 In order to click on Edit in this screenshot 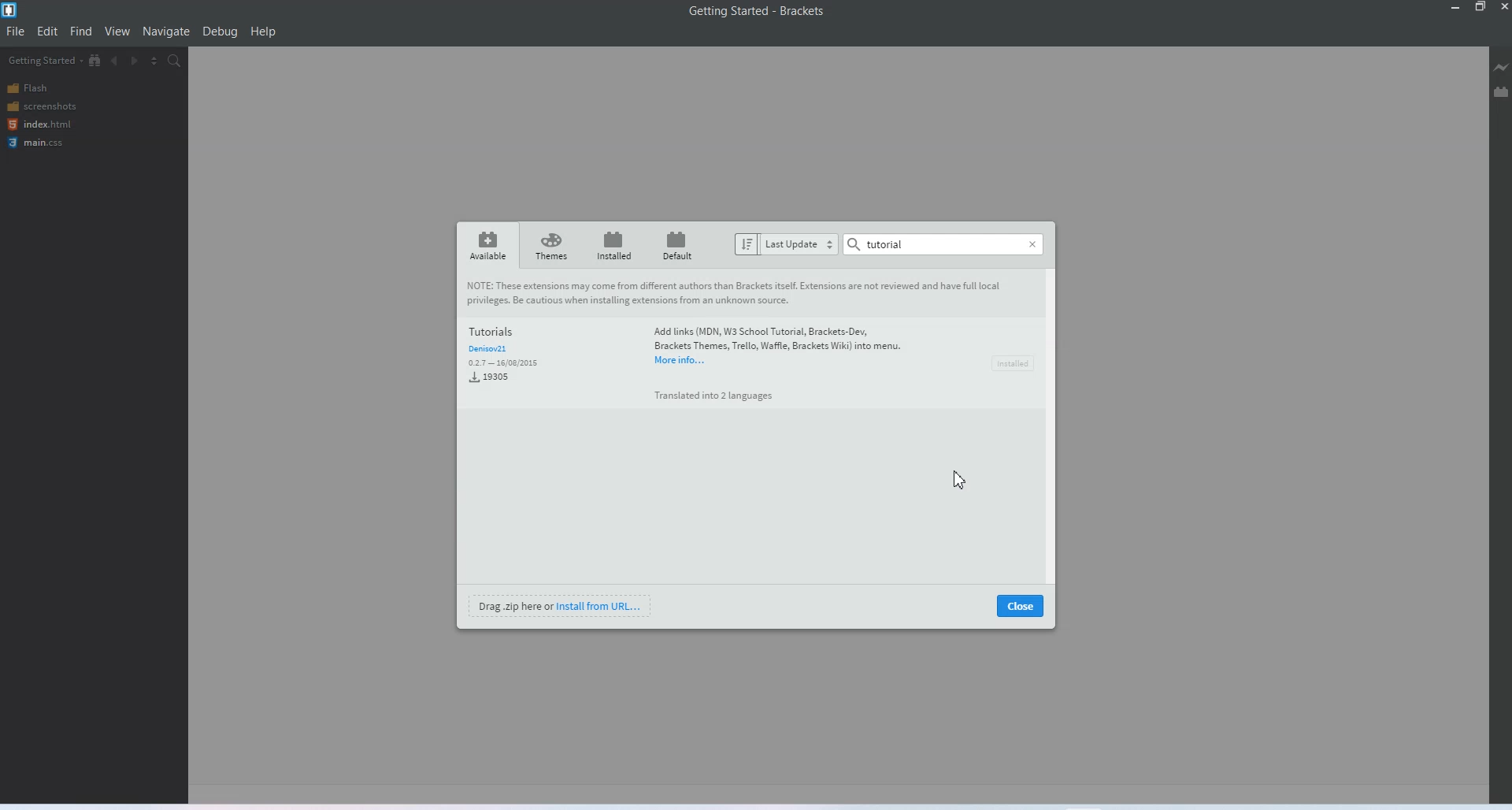, I will do `click(47, 32)`.